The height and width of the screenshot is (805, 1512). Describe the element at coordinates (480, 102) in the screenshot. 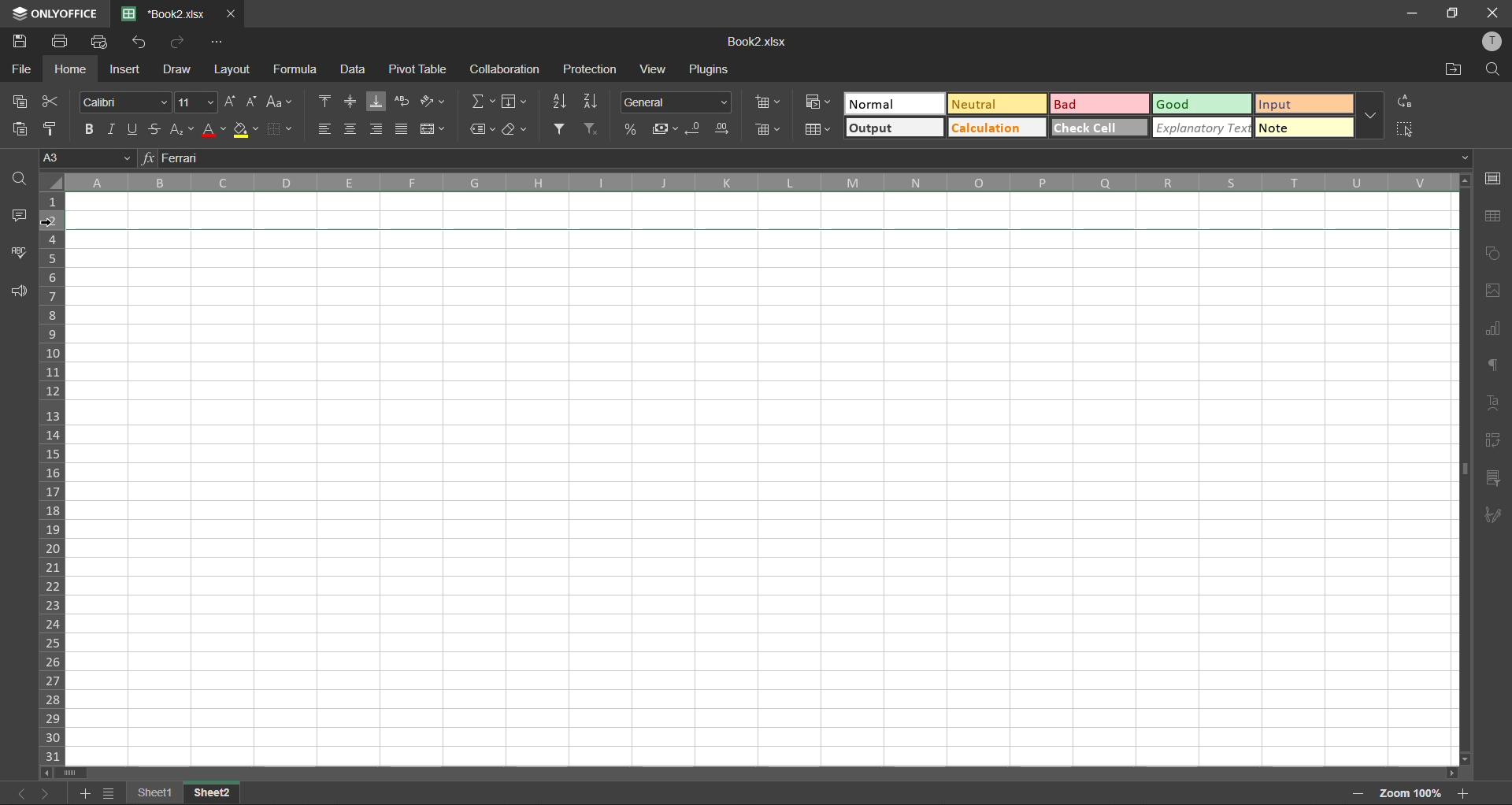

I see `summation` at that location.